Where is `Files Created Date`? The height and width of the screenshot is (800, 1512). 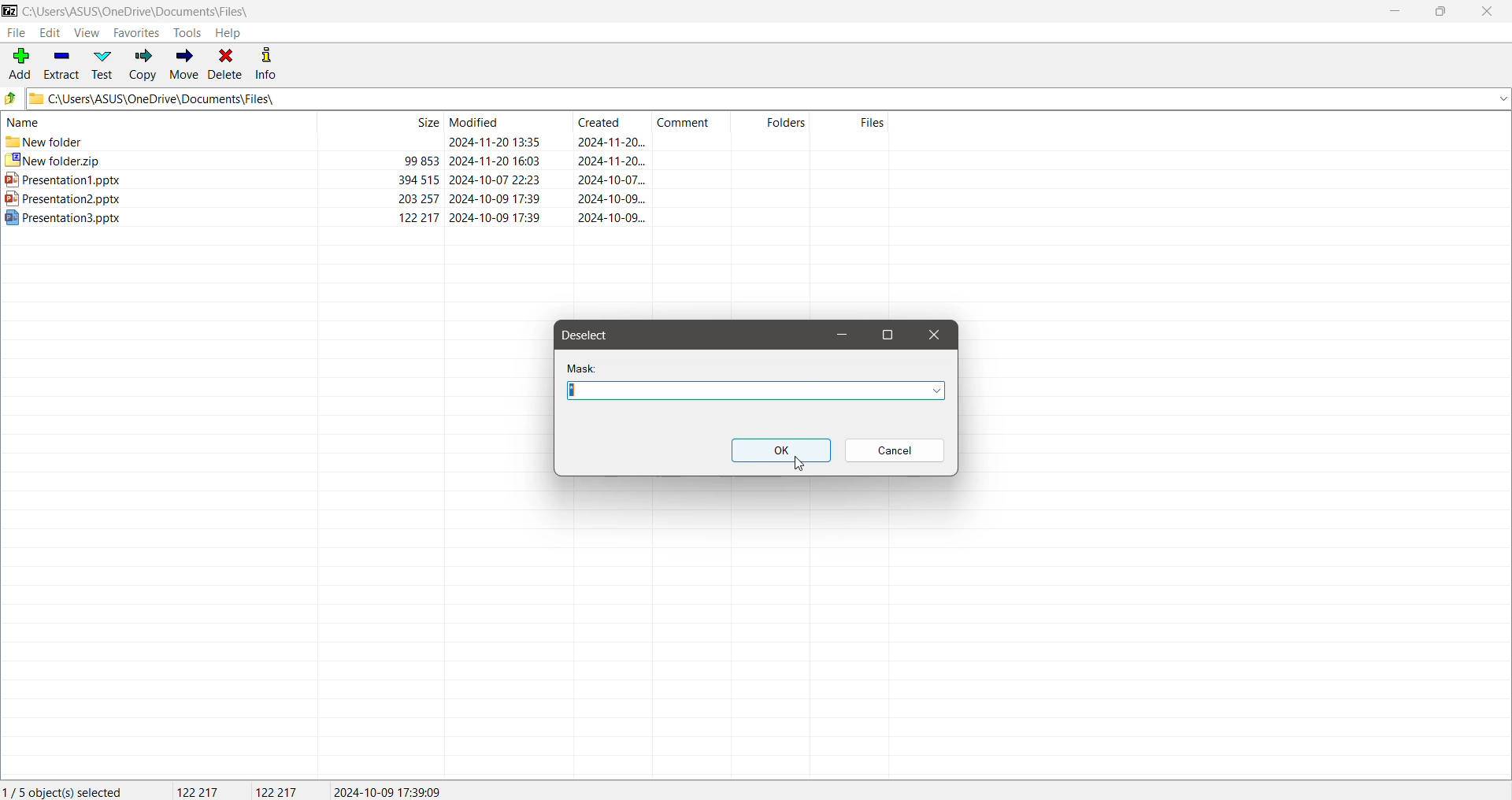 Files Created Date is located at coordinates (613, 122).